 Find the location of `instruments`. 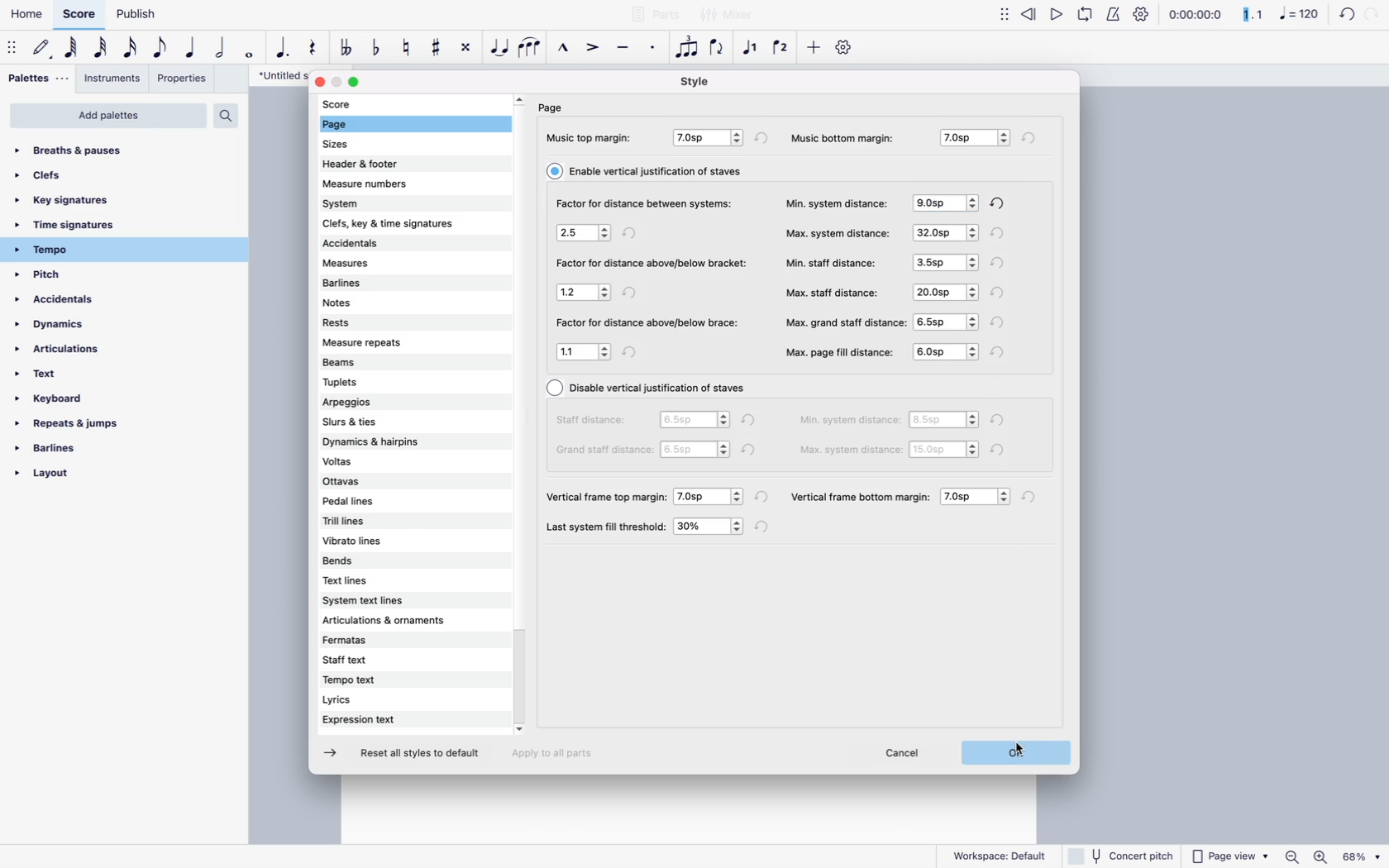

instruments is located at coordinates (112, 78).